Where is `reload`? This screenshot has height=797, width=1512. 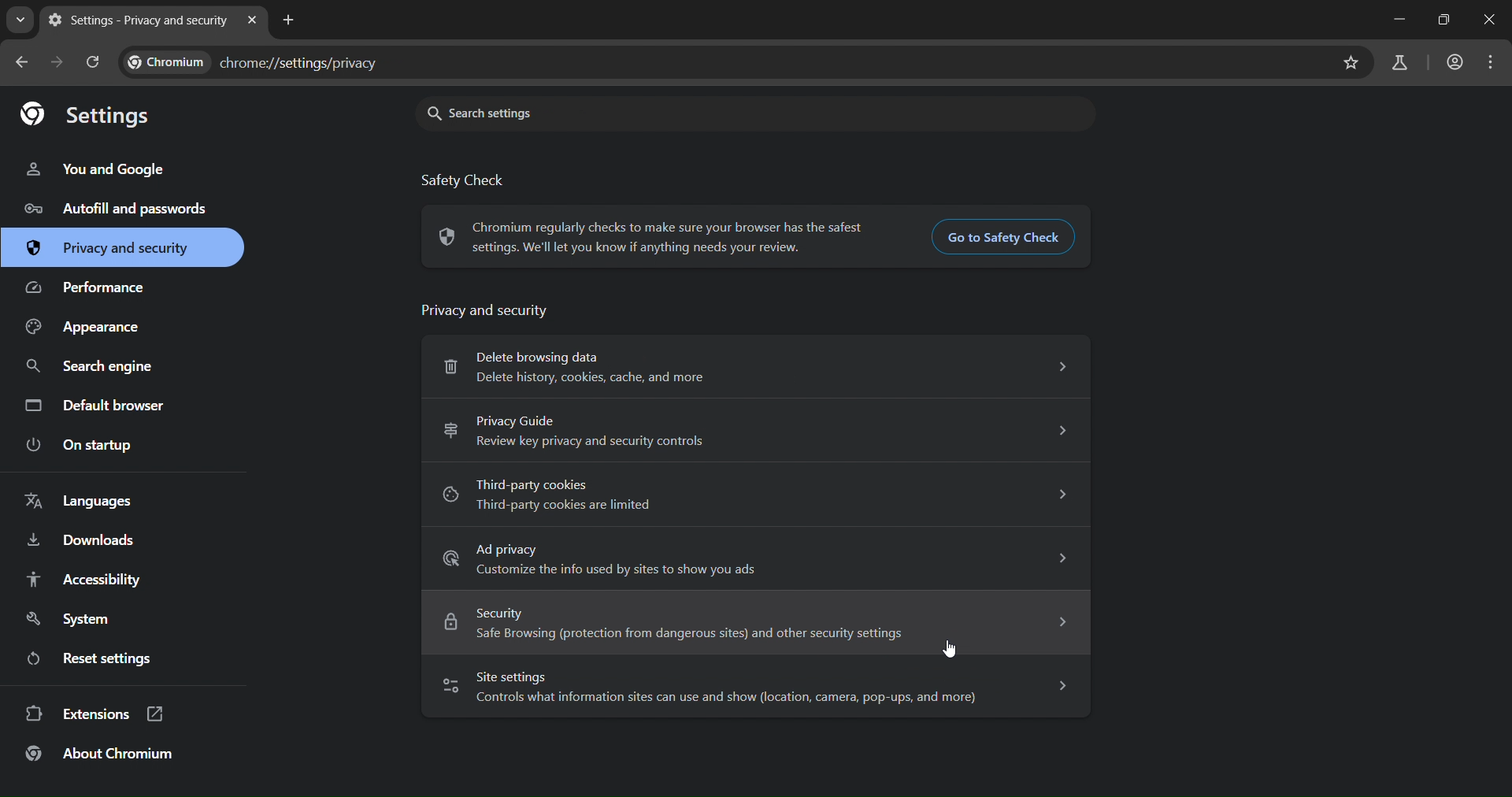 reload is located at coordinates (94, 61).